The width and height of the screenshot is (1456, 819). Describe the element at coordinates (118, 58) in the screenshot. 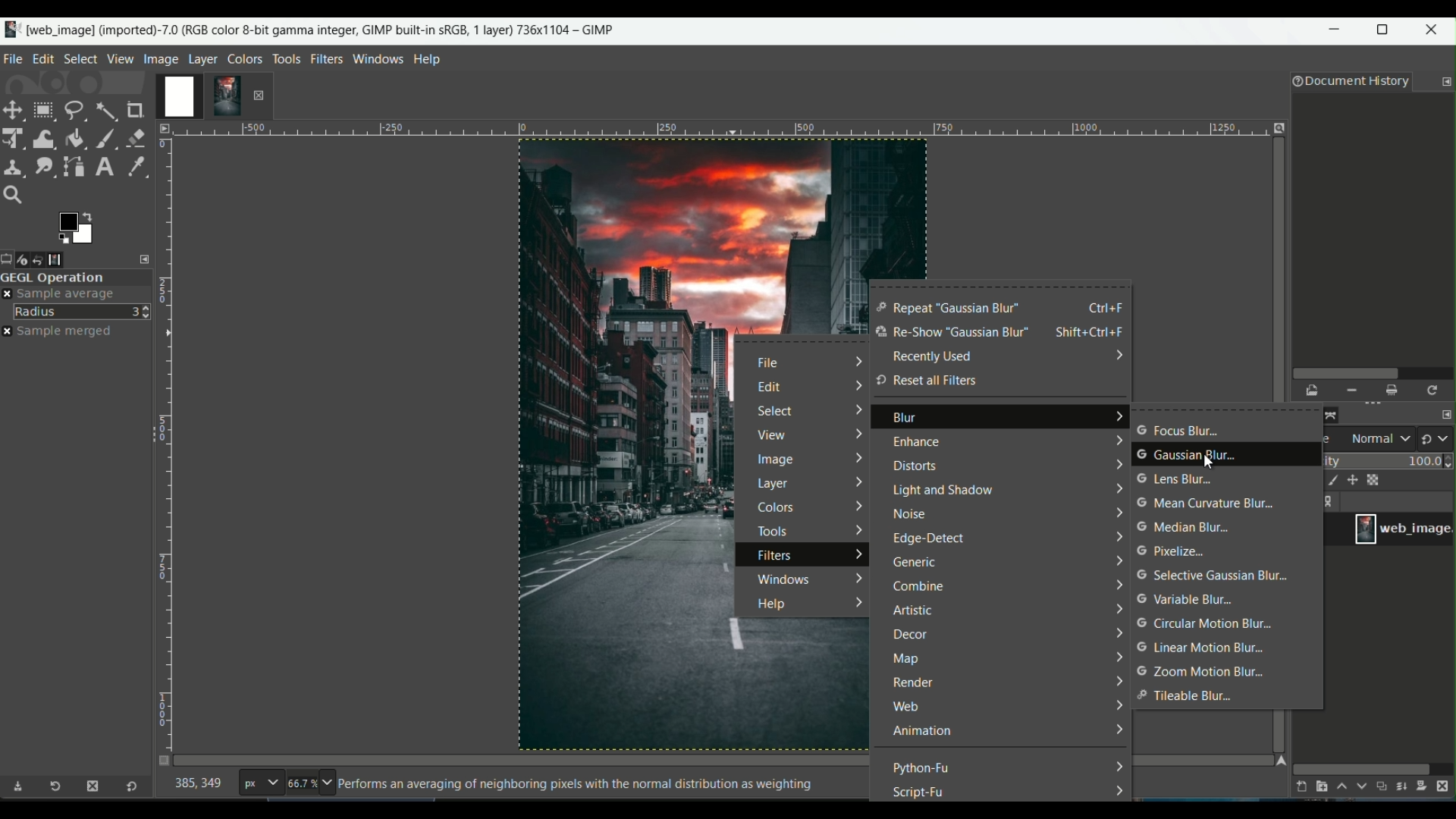

I see `view tab` at that location.